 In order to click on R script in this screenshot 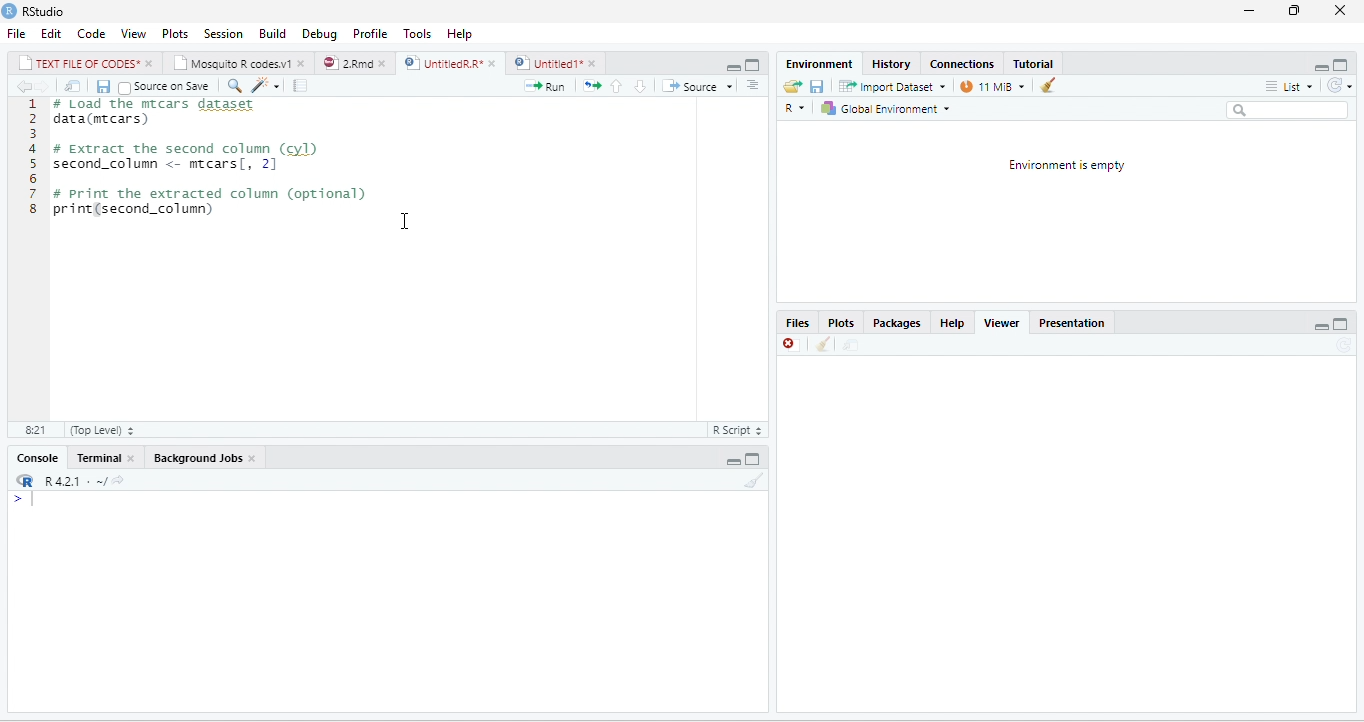, I will do `click(737, 431)`.